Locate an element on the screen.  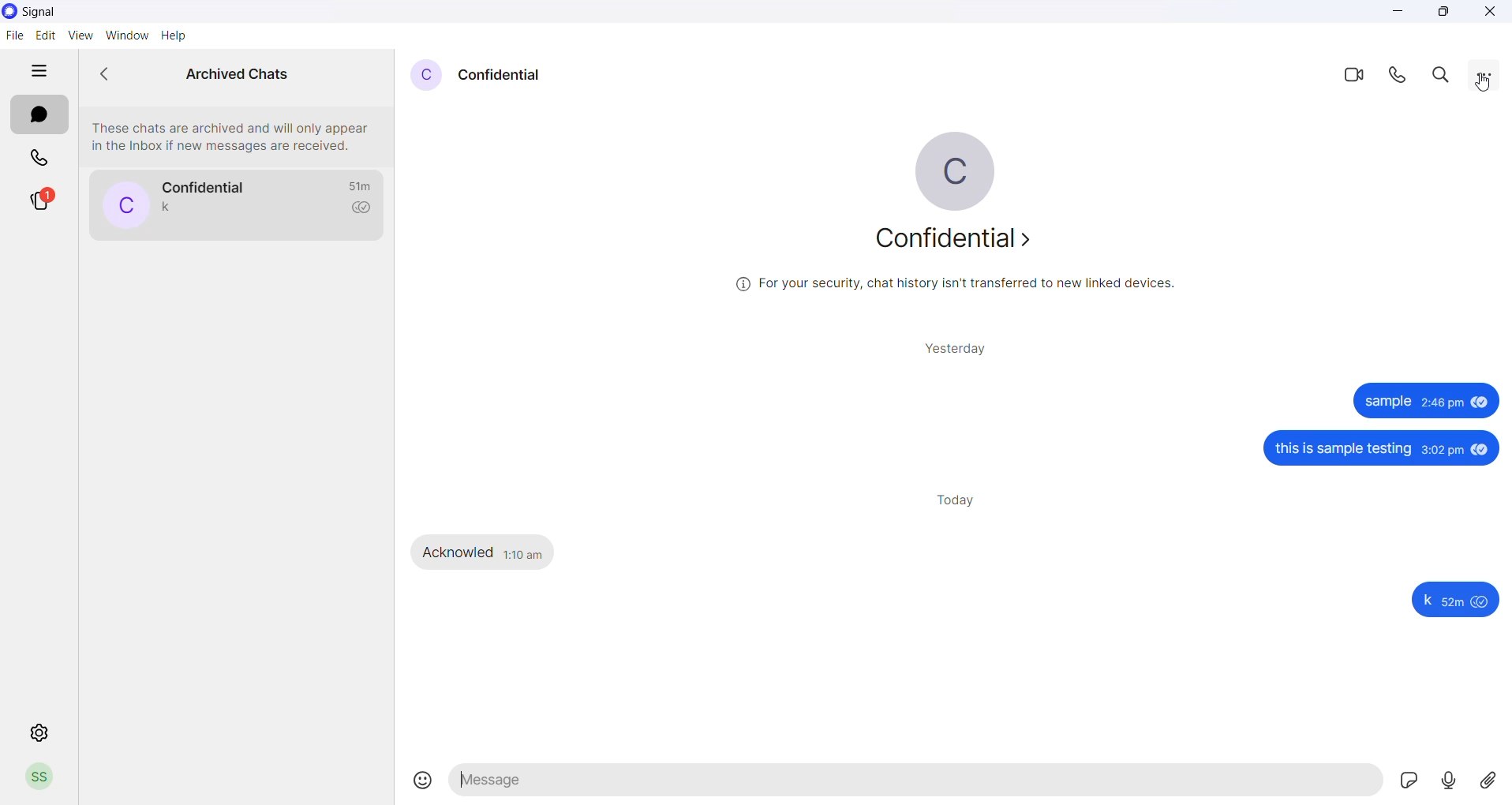
profile picture is located at coordinates (957, 171).